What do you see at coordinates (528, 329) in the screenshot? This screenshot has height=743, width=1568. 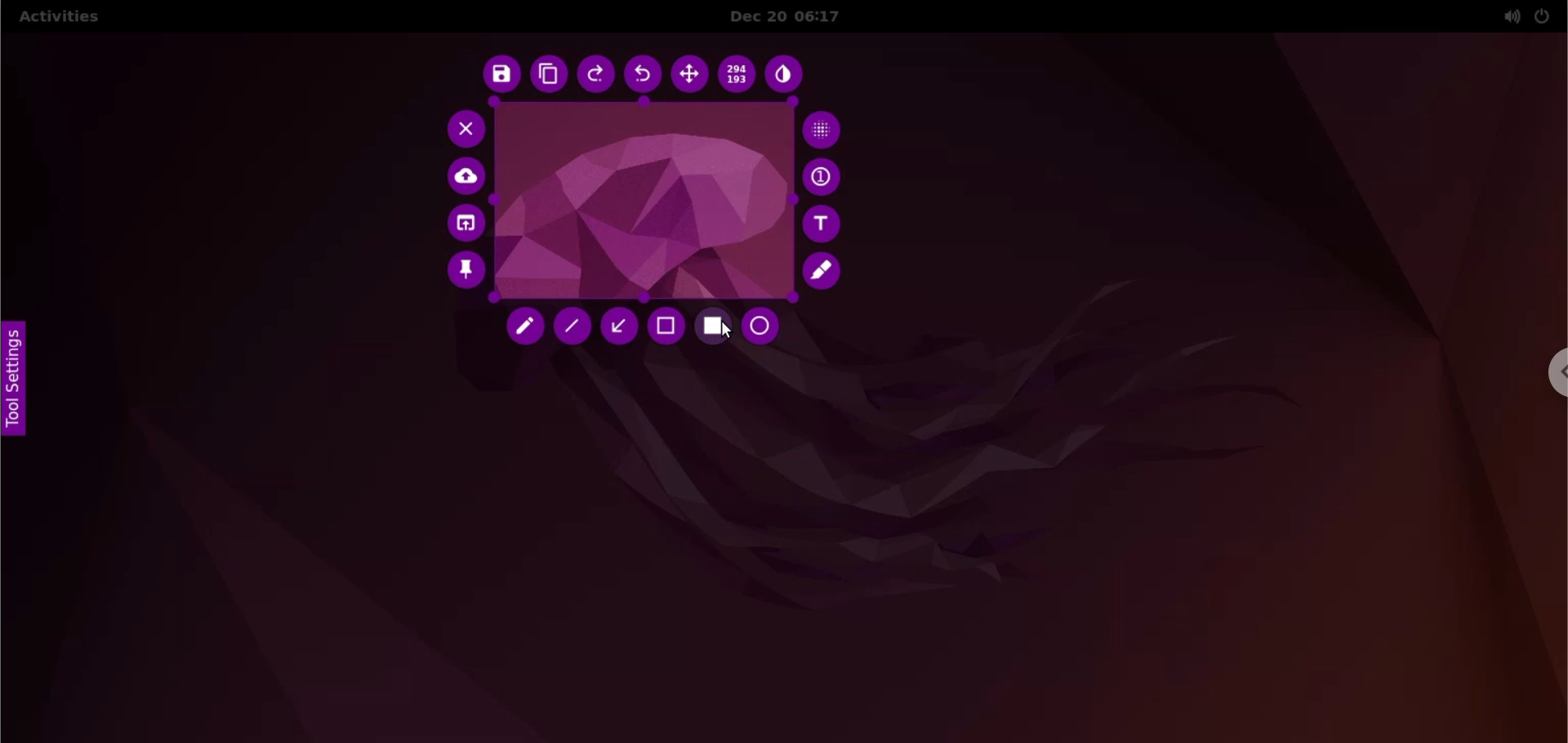 I see `pencil` at bounding box center [528, 329].